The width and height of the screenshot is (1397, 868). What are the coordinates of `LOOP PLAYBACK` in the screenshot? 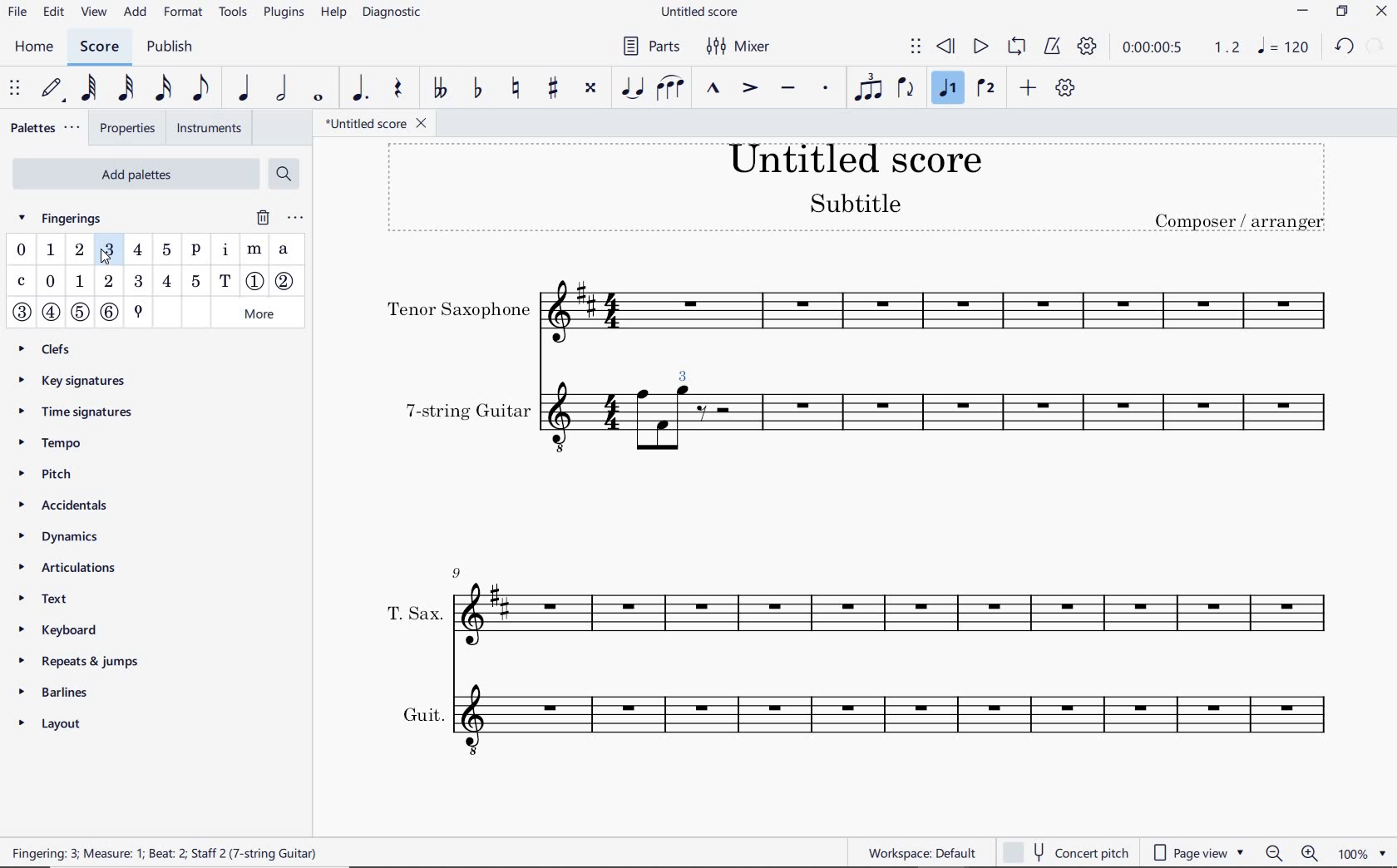 It's located at (1017, 46).